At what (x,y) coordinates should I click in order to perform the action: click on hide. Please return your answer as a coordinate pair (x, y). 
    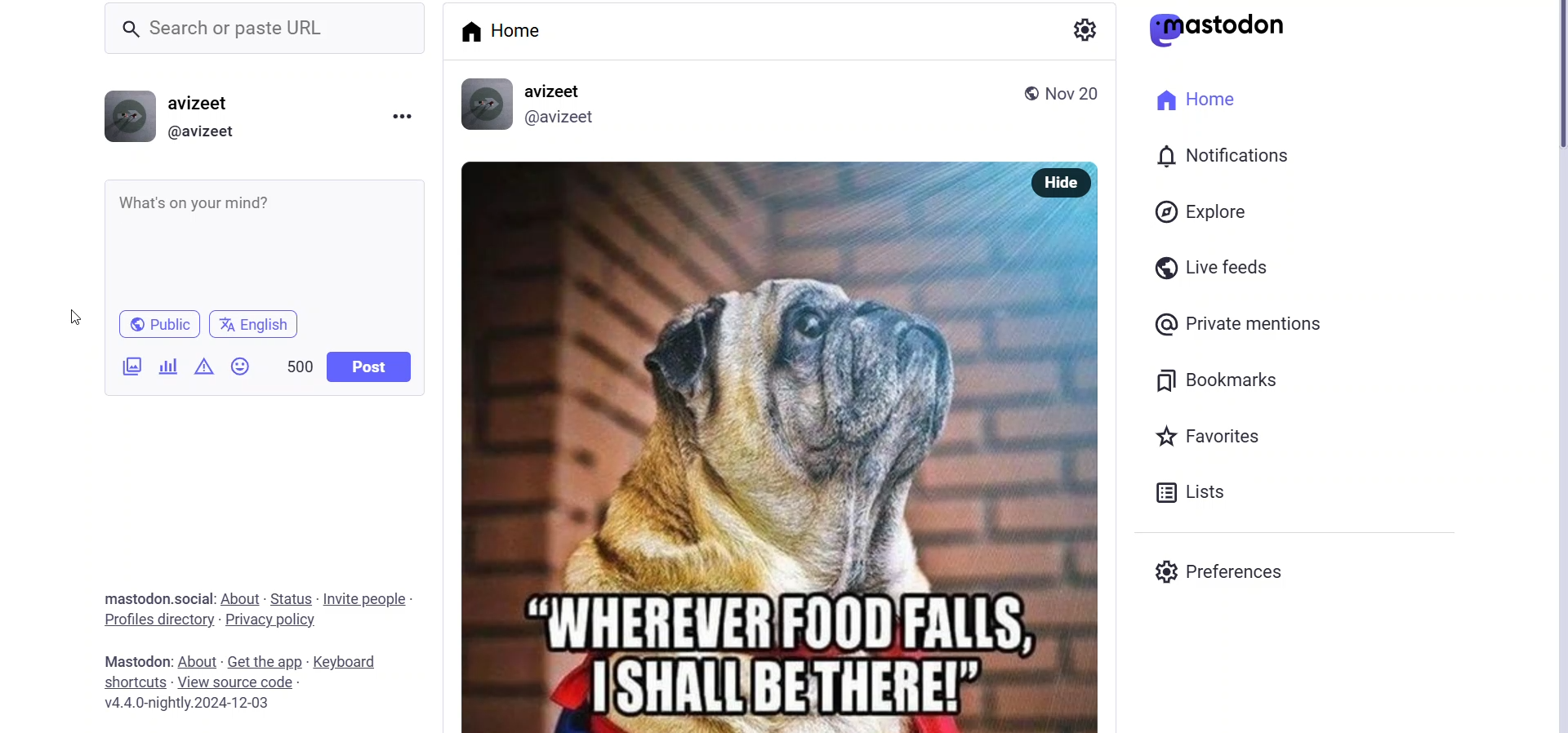
    Looking at the image, I should click on (1062, 183).